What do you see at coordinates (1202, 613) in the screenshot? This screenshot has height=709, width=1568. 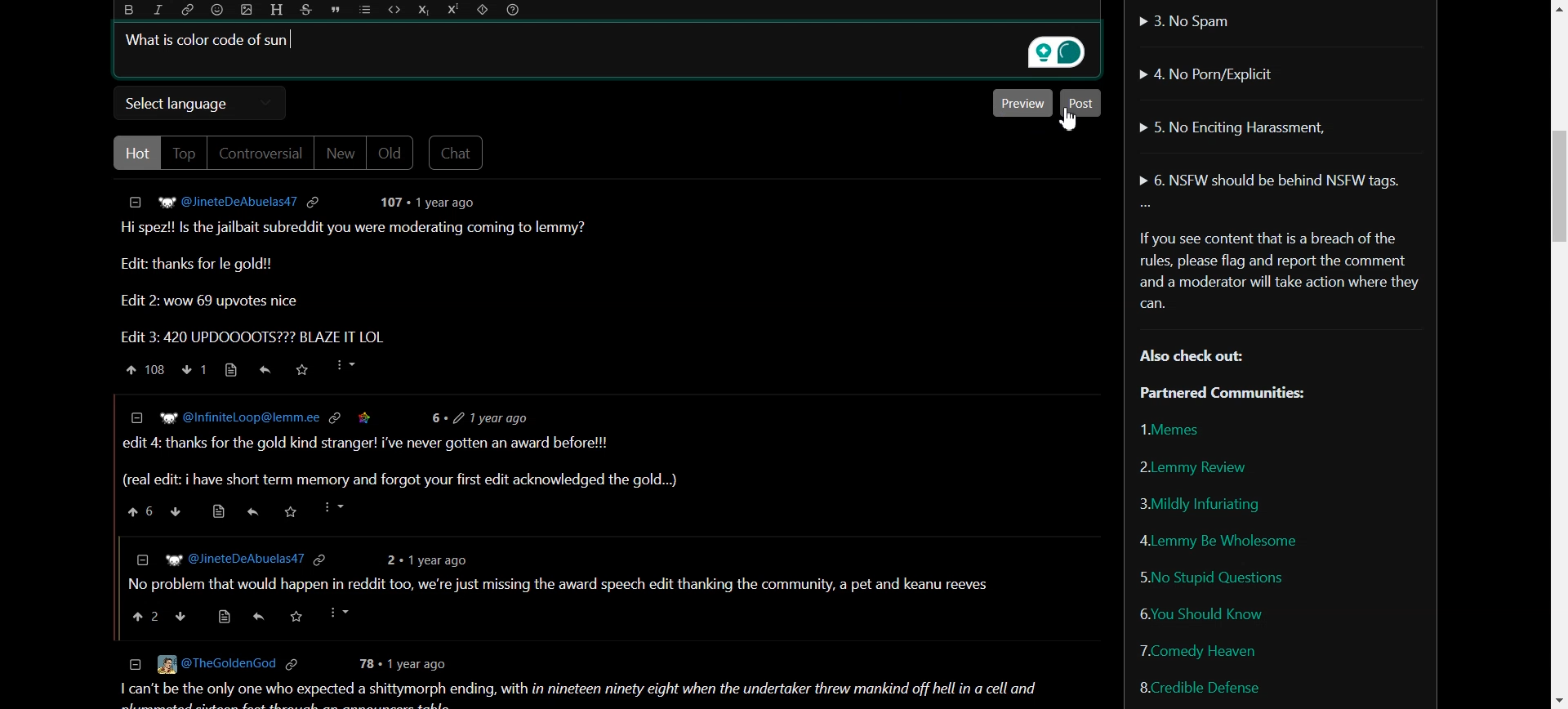 I see `You Should Know` at bounding box center [1202, 613].